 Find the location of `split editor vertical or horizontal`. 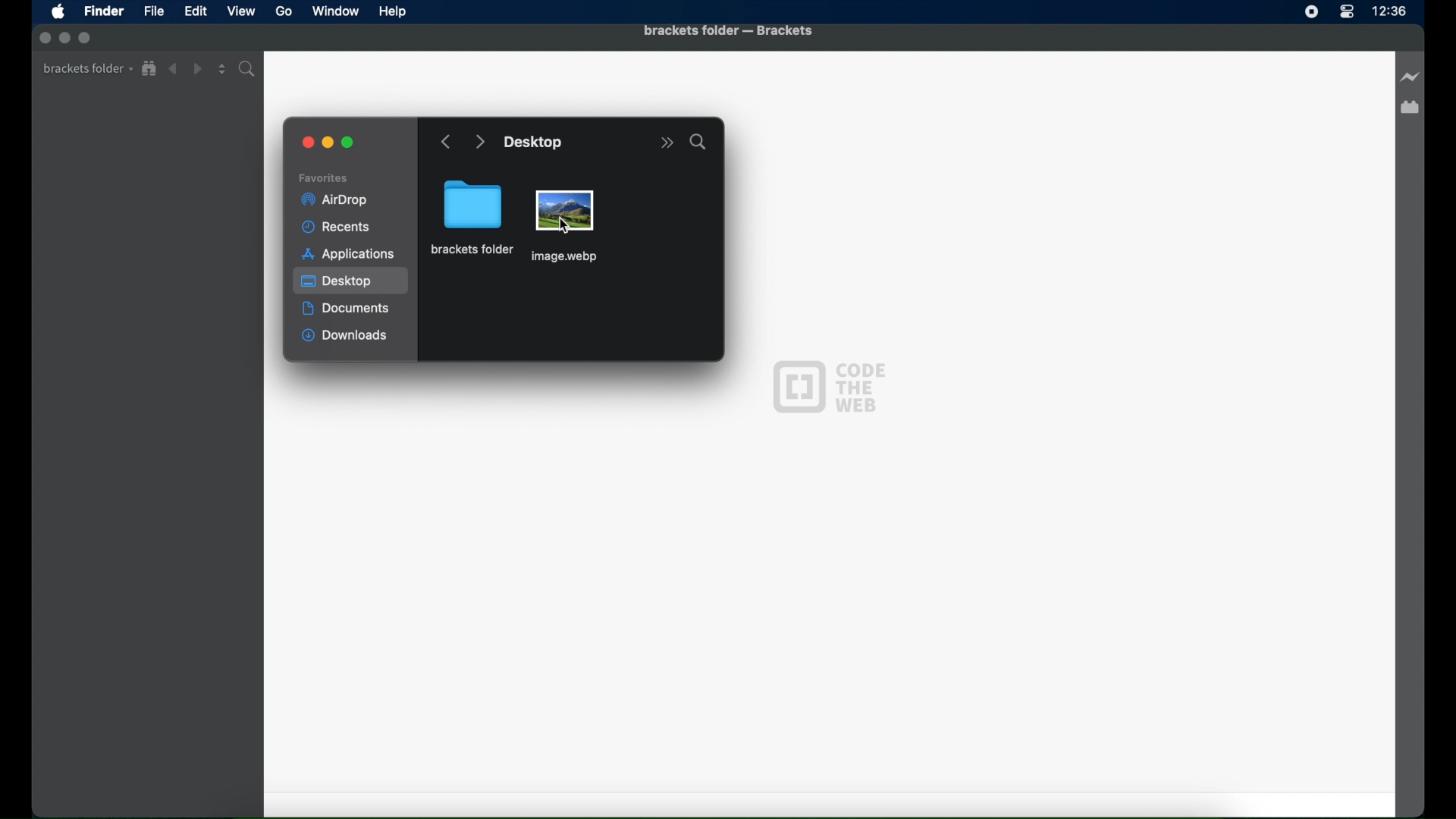

split editor vertical or horizontal is located at coordinates (222, 69).